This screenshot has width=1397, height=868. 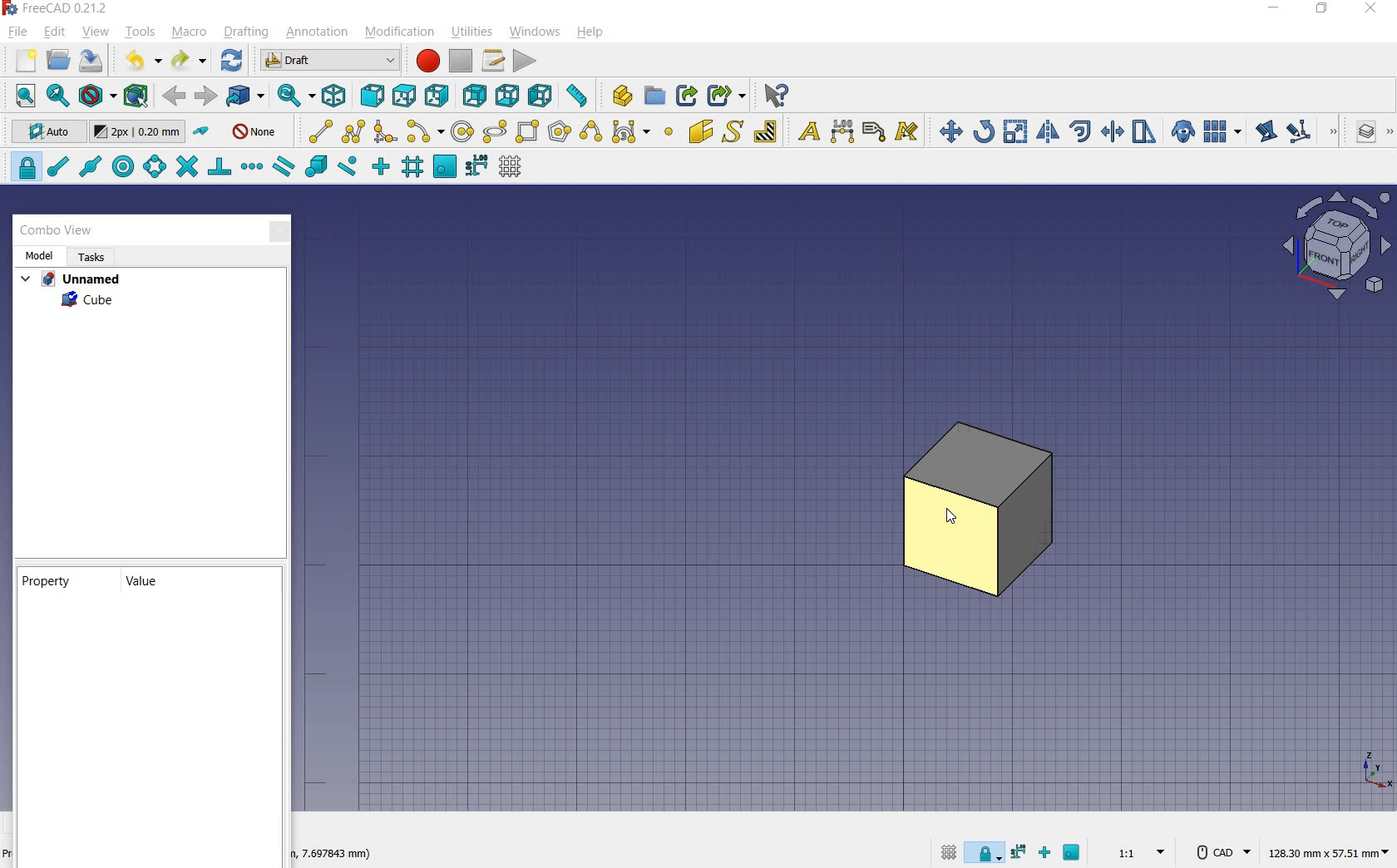 What do you see at coordinates (412, 168) in the screenshot?
I see `snap grid` at bounding box center [412, 168].